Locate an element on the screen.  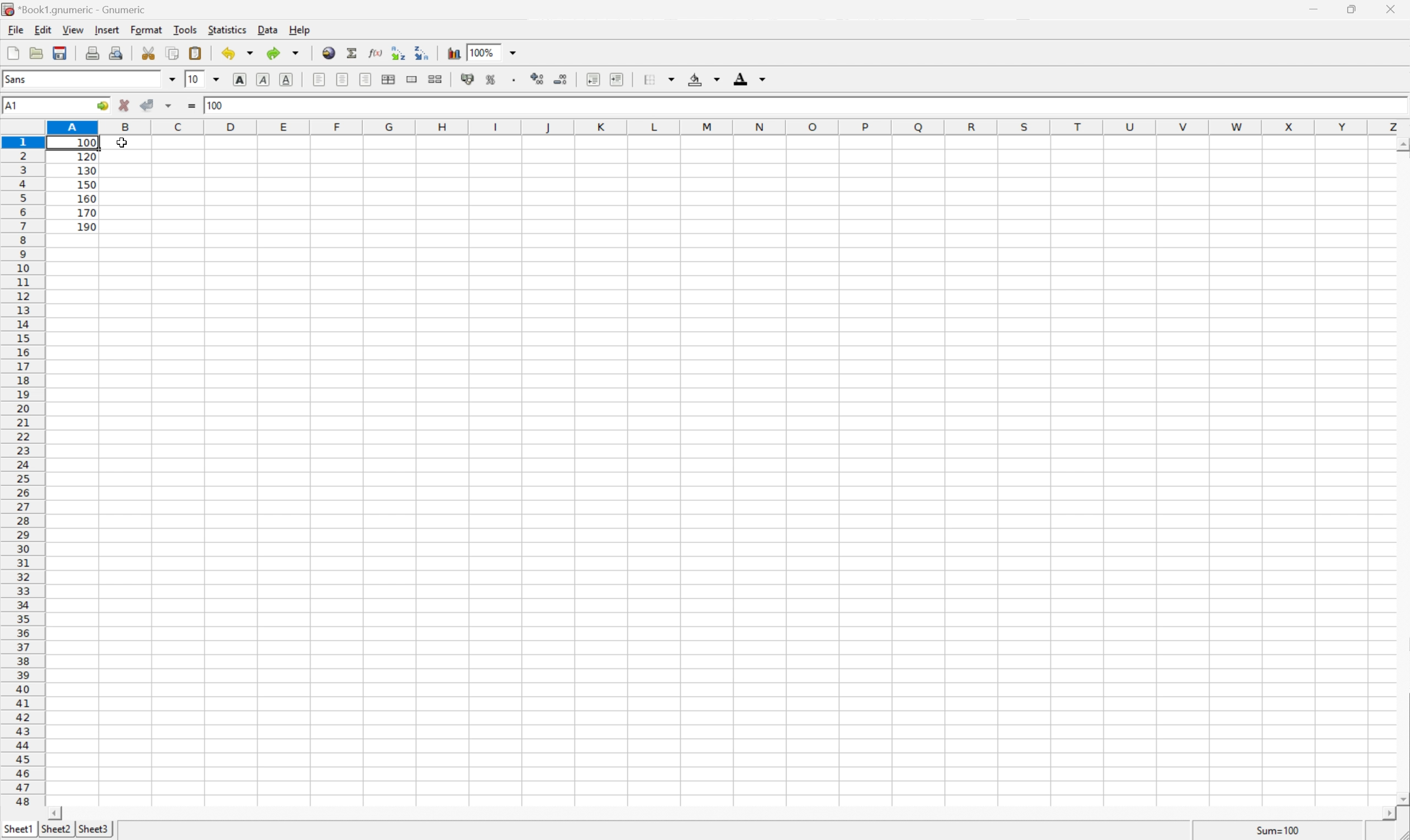
Accept changes in multiple cells is located at coordinates (168, 106).